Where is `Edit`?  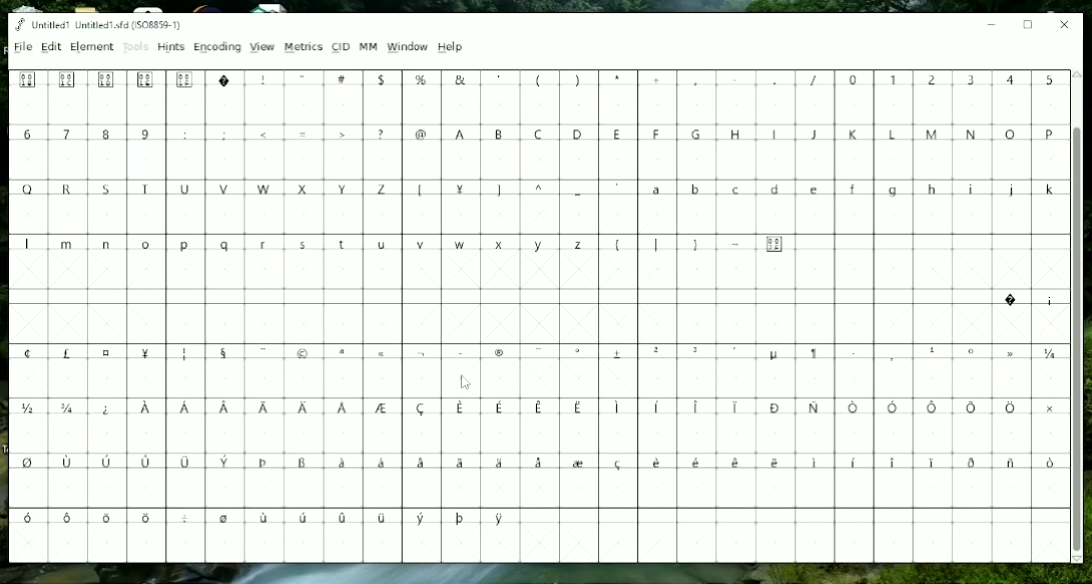 Edit is located at coordinates (51, 47).